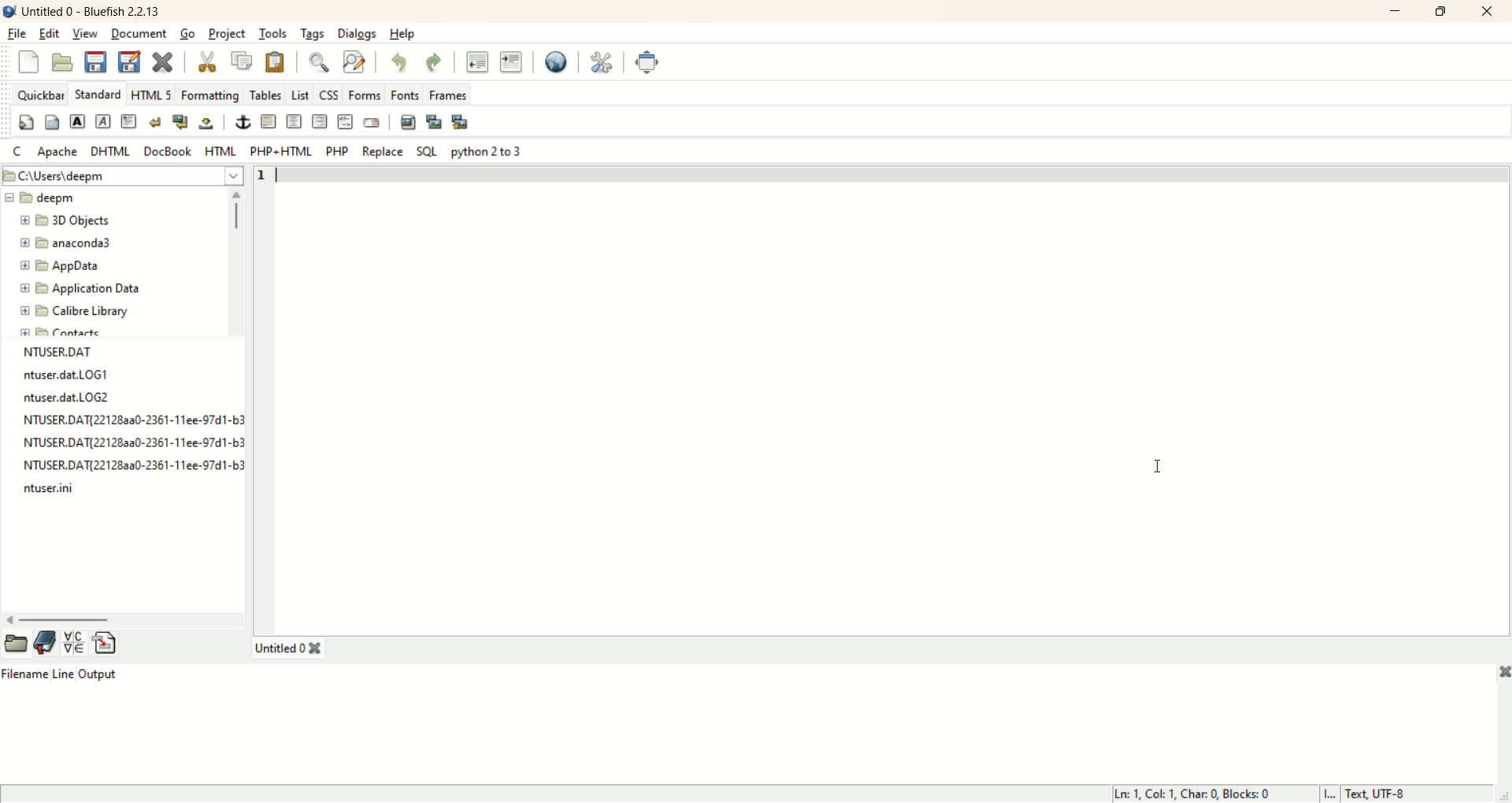 Image resolution: width=1512 pixels, height=803 pixels. What do you see at coordinates (1380, 793) in the screenshot?
I see `text UTF-8` at bounding box center [1380, 793].